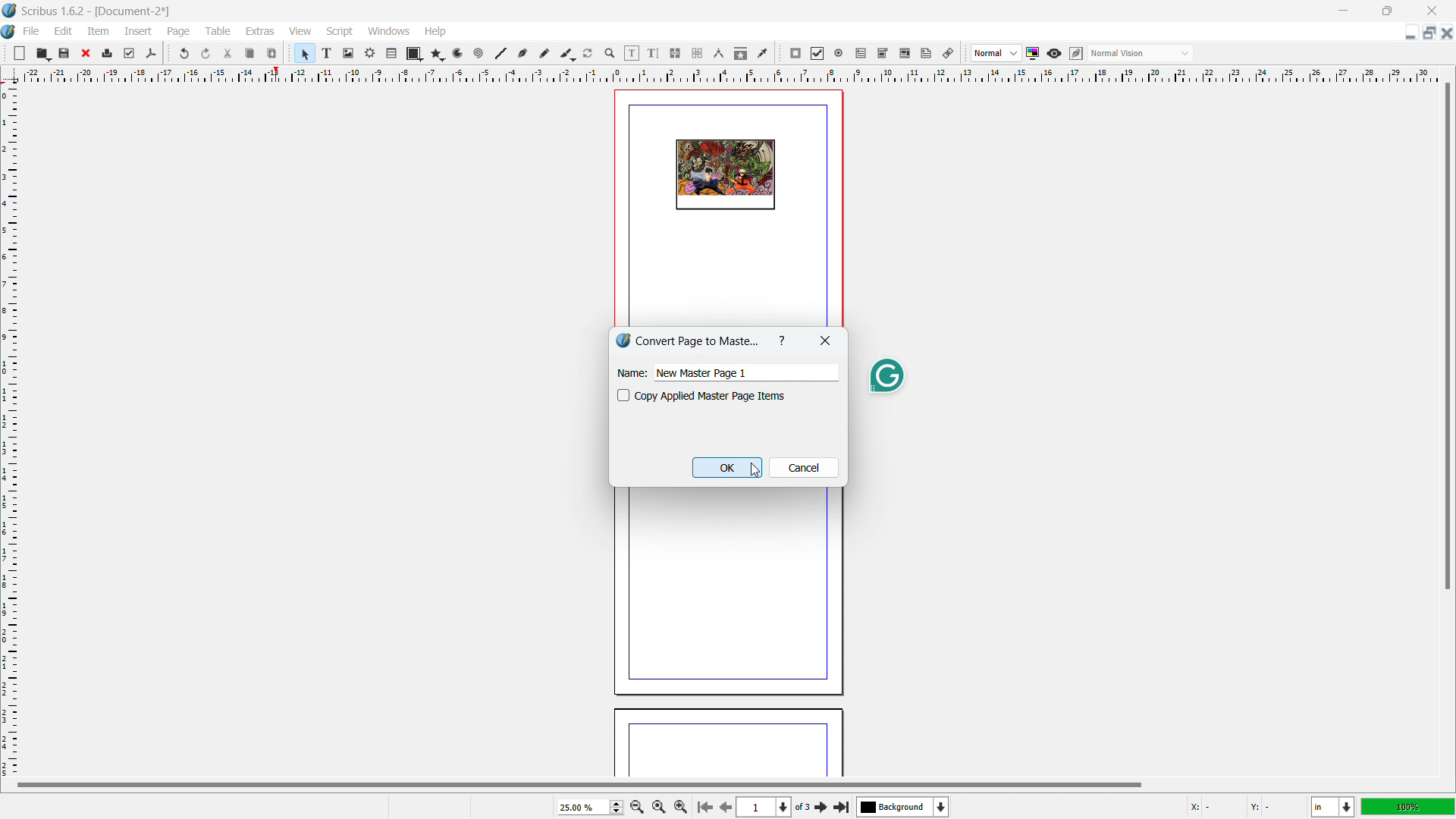 This screenshot has height=819, width=1456. What do you see at coordinates (1034, 53) in the screenshot?
I see `toggle color management system` at bounding box center [1034, 53].